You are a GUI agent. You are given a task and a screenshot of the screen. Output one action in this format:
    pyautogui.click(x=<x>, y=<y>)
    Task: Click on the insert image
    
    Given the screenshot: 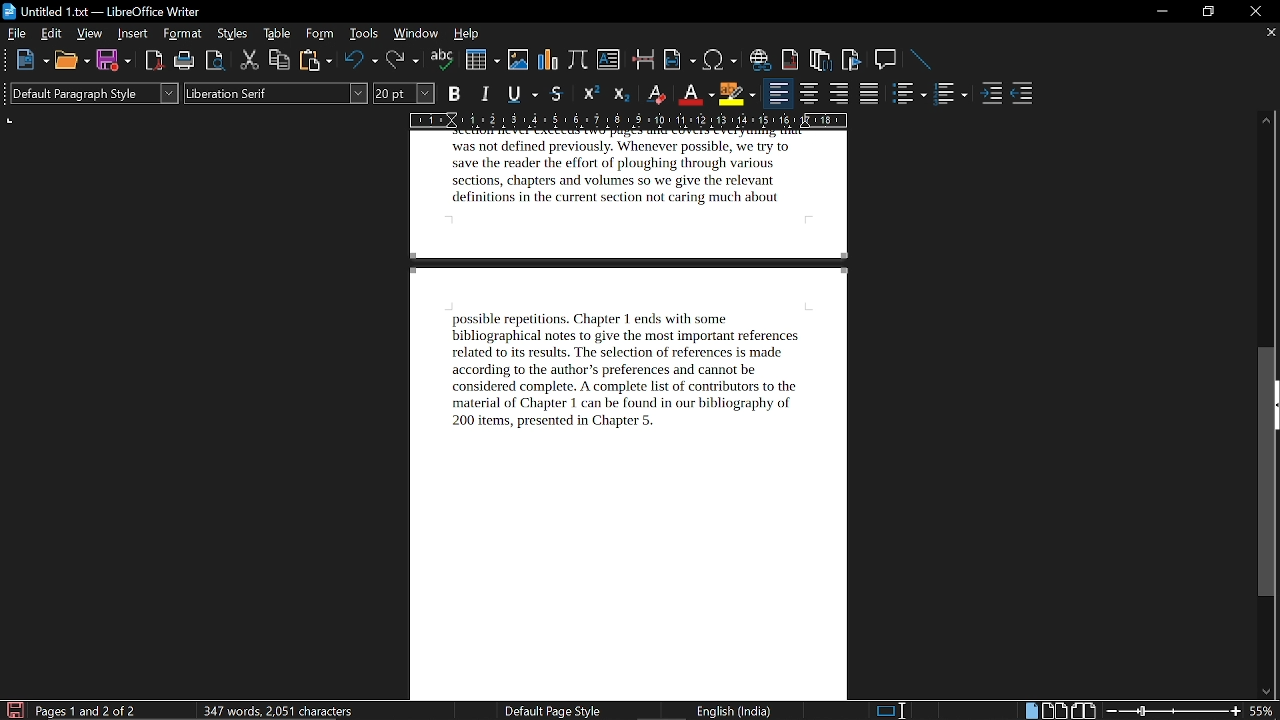 What is the action you would take?
    pyautogui.click(x=518, y=62)
    